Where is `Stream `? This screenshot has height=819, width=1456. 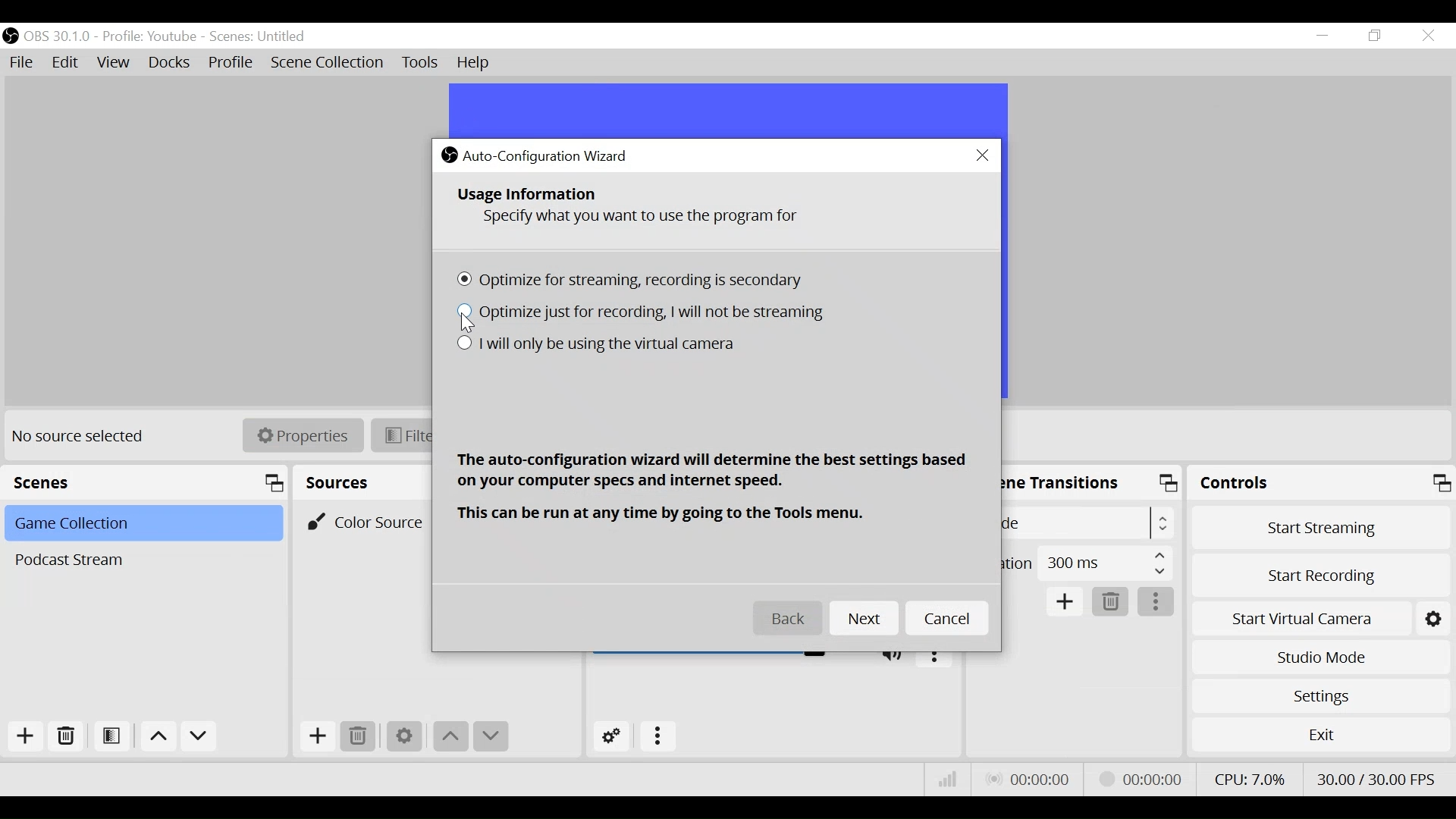 Stream  is located at coordinates (1144, 779).